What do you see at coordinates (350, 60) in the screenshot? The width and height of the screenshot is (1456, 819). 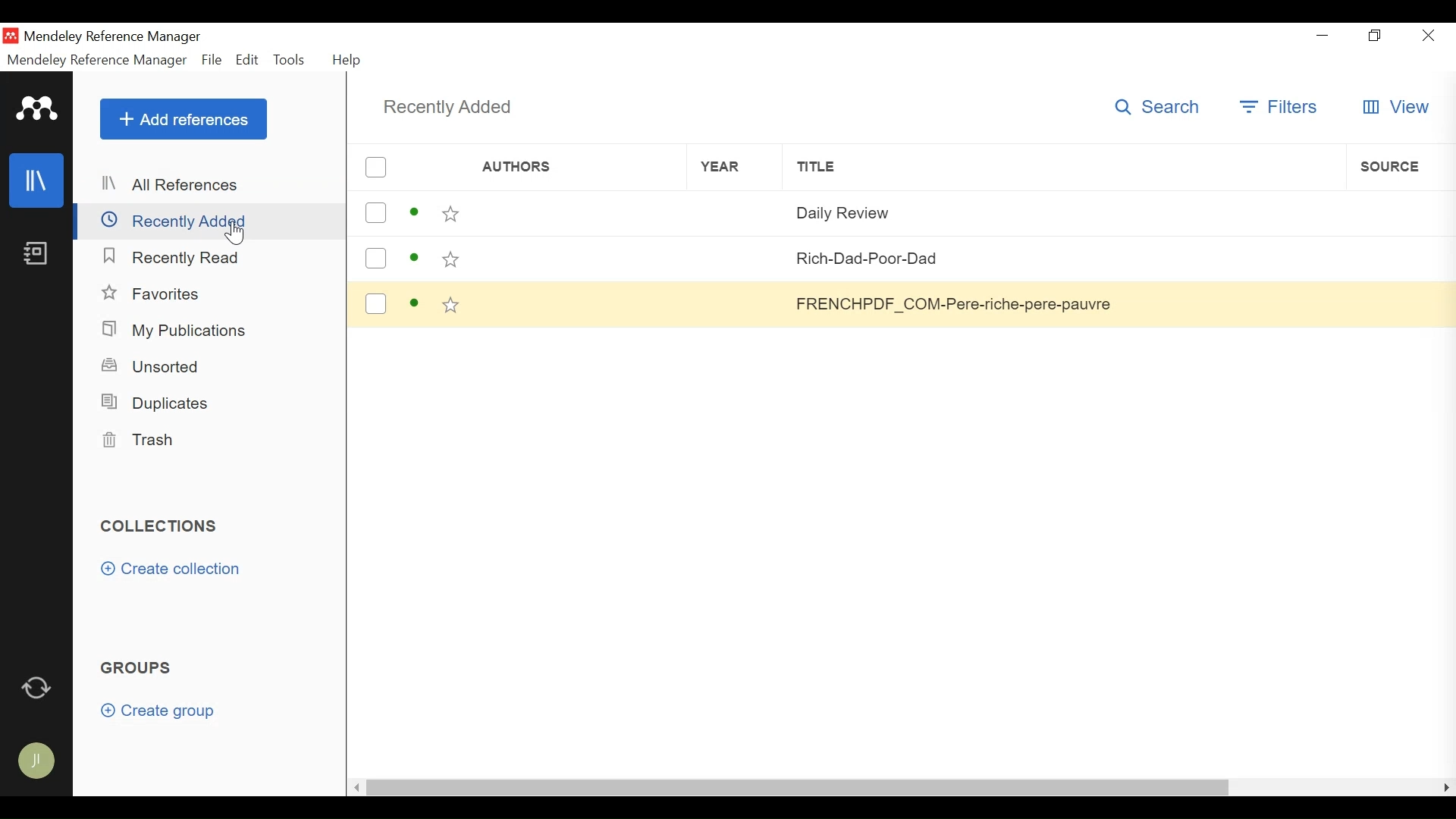 I see `Help` at bounding box center [350, 60].